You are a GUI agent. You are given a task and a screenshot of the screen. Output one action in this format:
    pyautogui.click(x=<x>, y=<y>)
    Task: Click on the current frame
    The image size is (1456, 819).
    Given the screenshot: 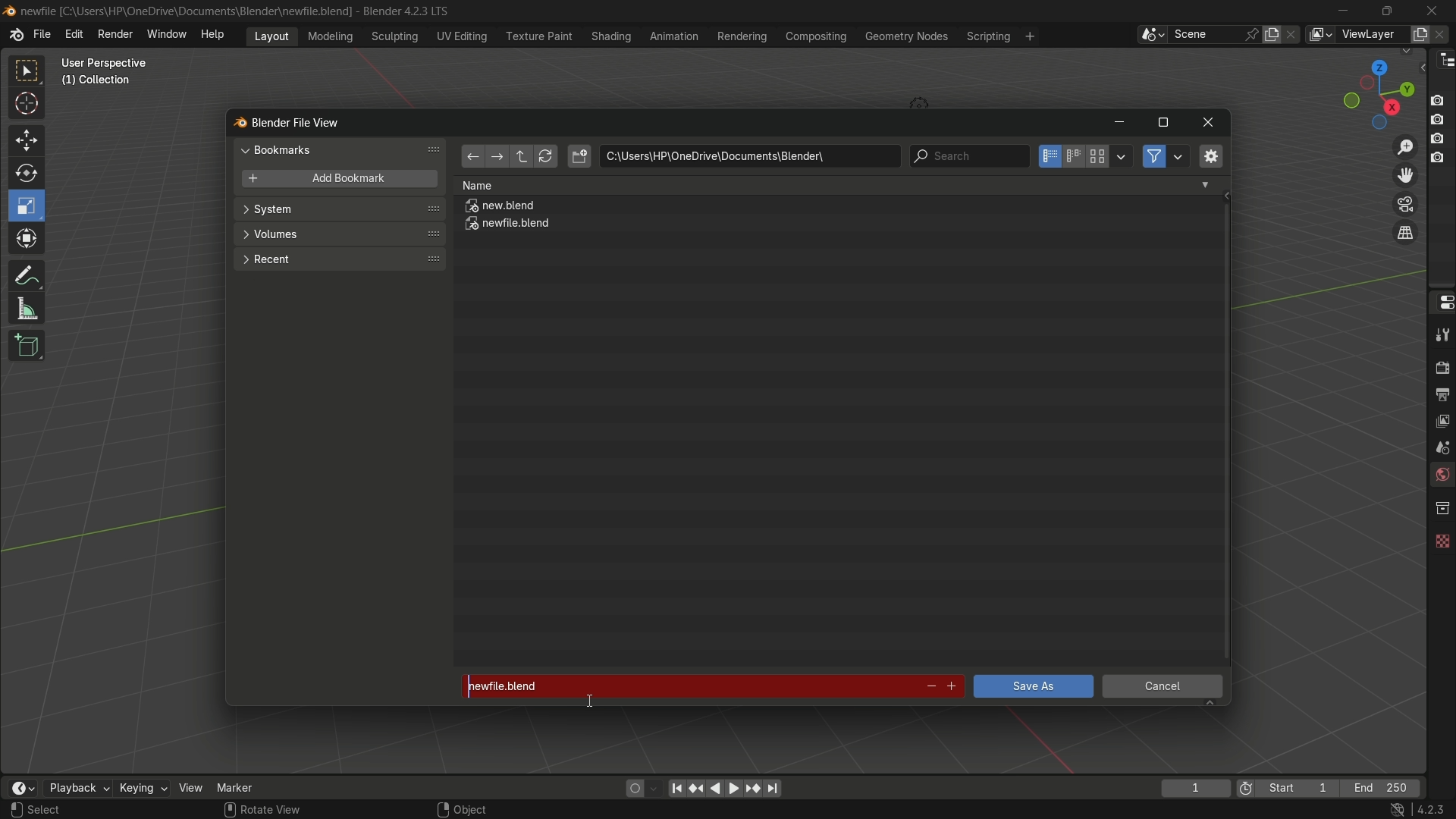 What is the action you would take?
    pyautogui.click(x=1194, y=788)
    